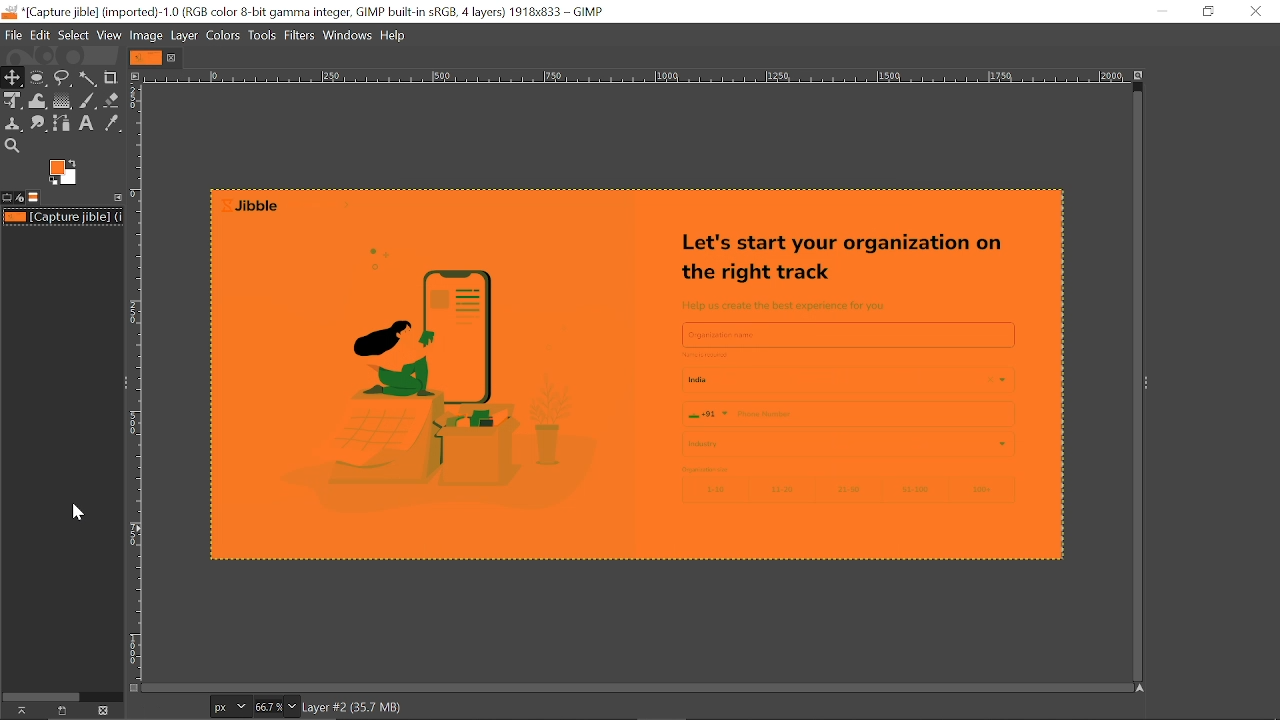 Image resolution: width=1280 pixels, height=720 pixels. What do you see at coordinates (19, 710) in the screenshot?
I see `Raise the image display` at bounding box center [19, 710].